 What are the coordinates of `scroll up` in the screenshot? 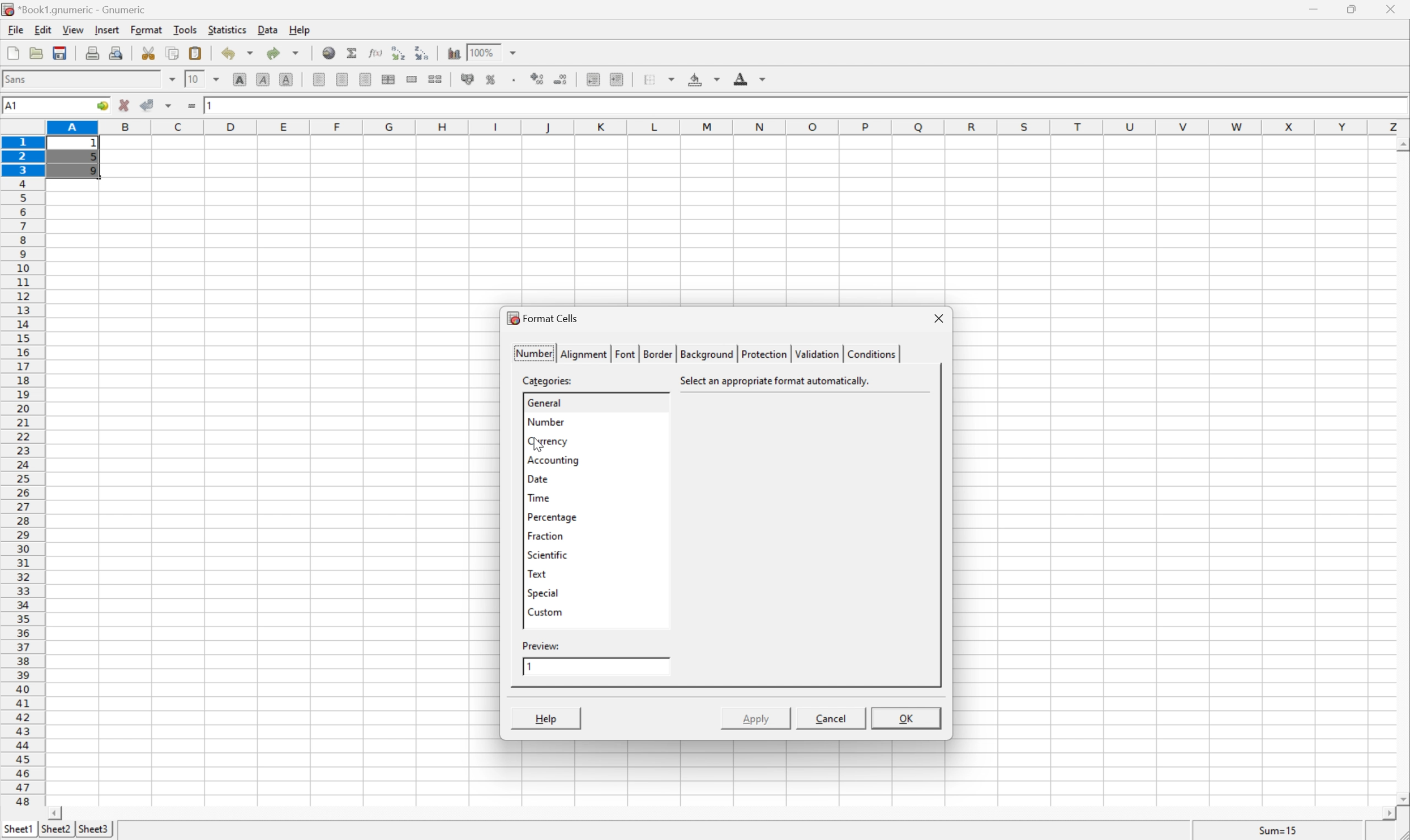 It's located at (1401, 145).